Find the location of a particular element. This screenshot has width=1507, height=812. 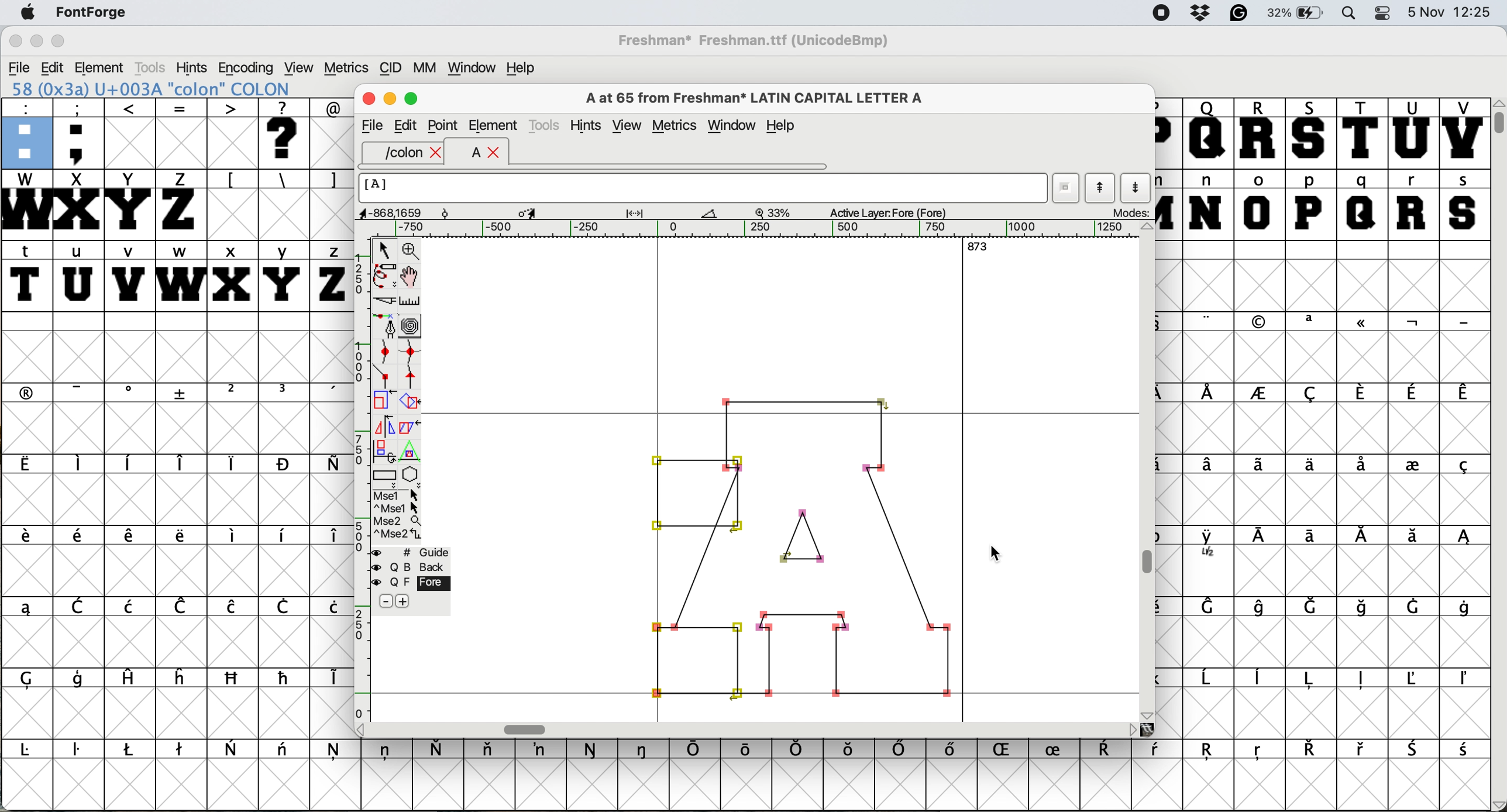

t is located at coordinates (27, 275).